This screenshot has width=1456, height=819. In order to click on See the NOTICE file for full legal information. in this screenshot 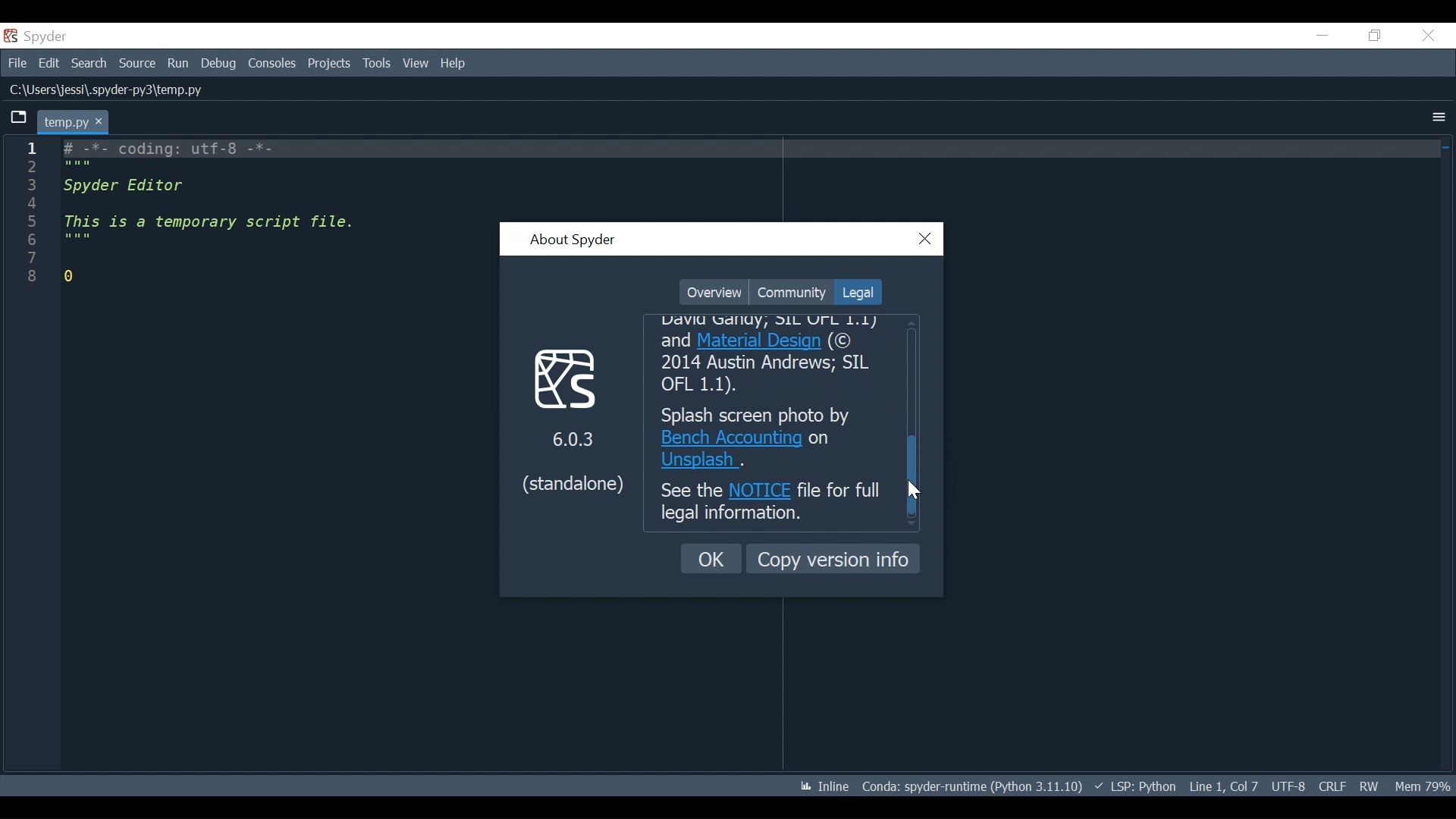, I will do `click(771, 504)`.